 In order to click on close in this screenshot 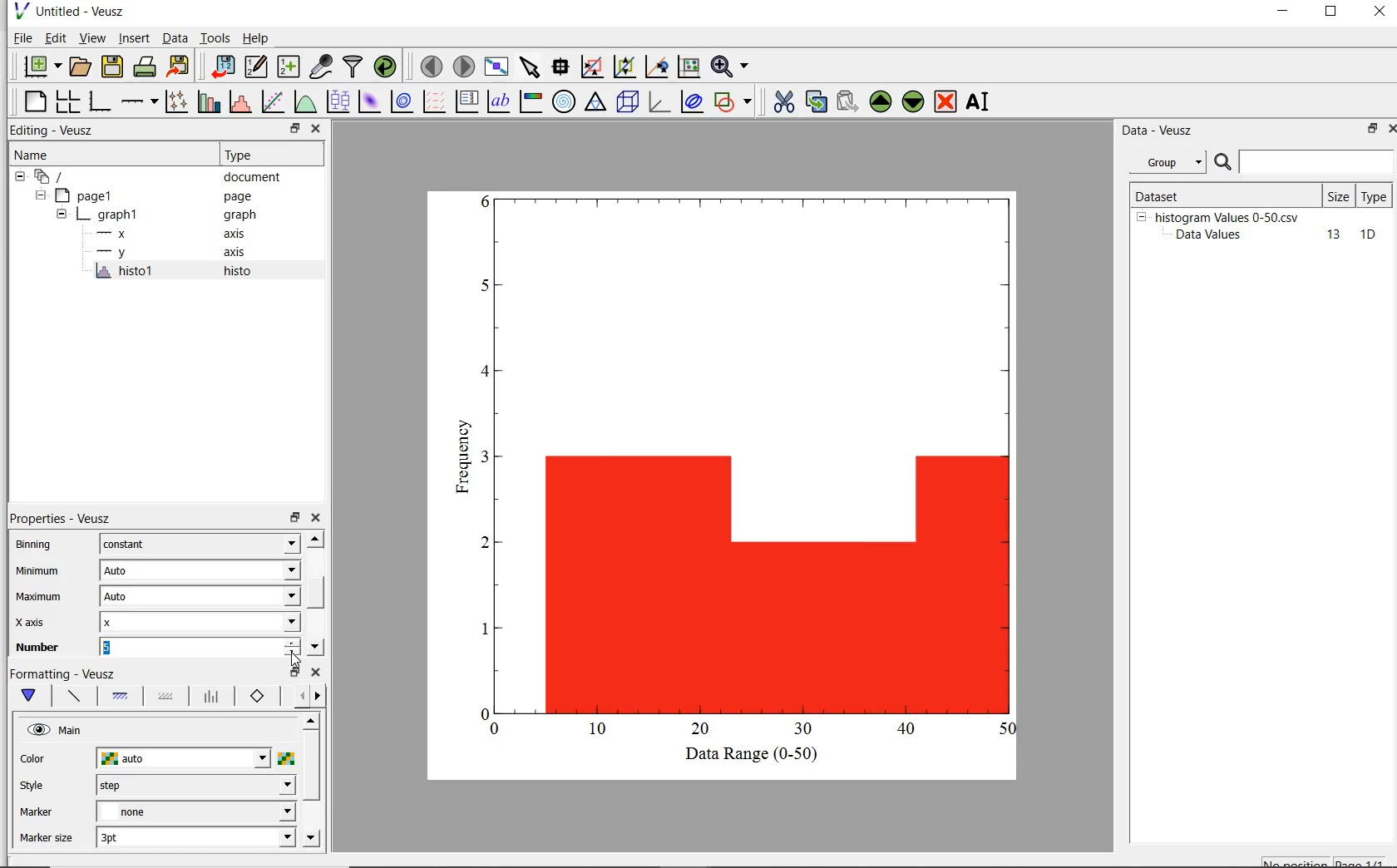, I will do `click(1380, 12)`.